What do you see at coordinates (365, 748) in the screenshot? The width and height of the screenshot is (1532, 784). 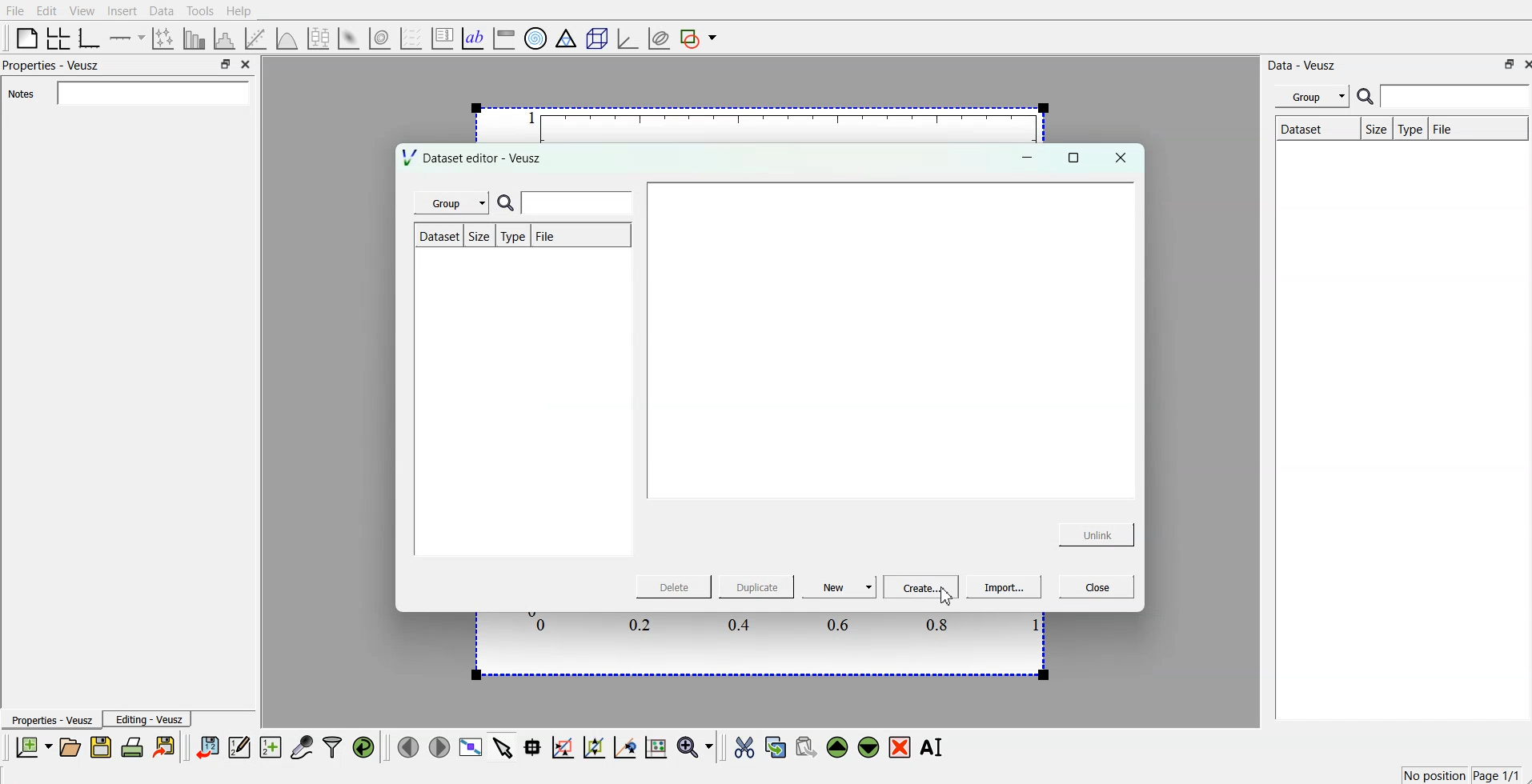 I see `reload linked datas` at bounding box center [365, 748].